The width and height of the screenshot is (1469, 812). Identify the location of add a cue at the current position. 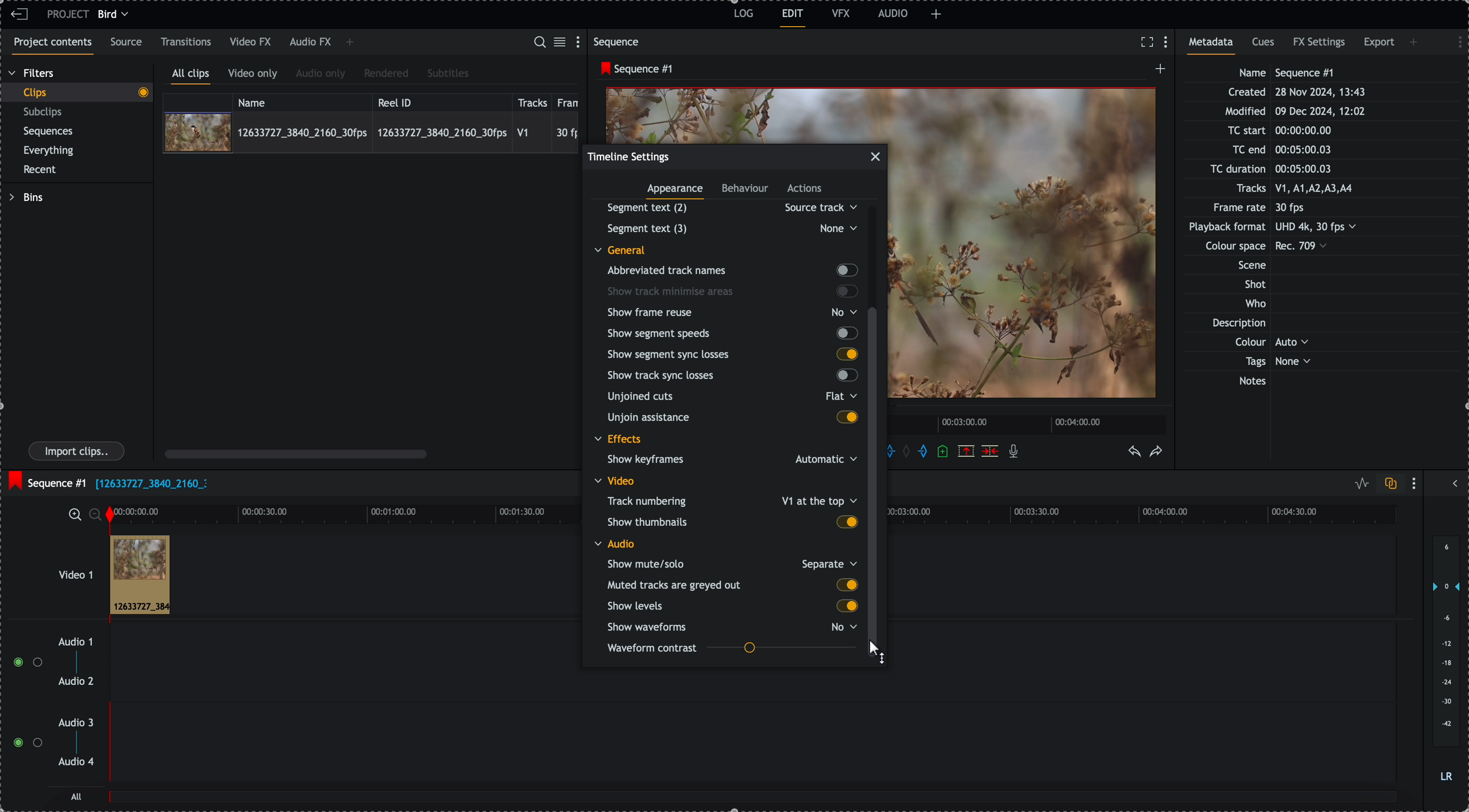
(944, 452).